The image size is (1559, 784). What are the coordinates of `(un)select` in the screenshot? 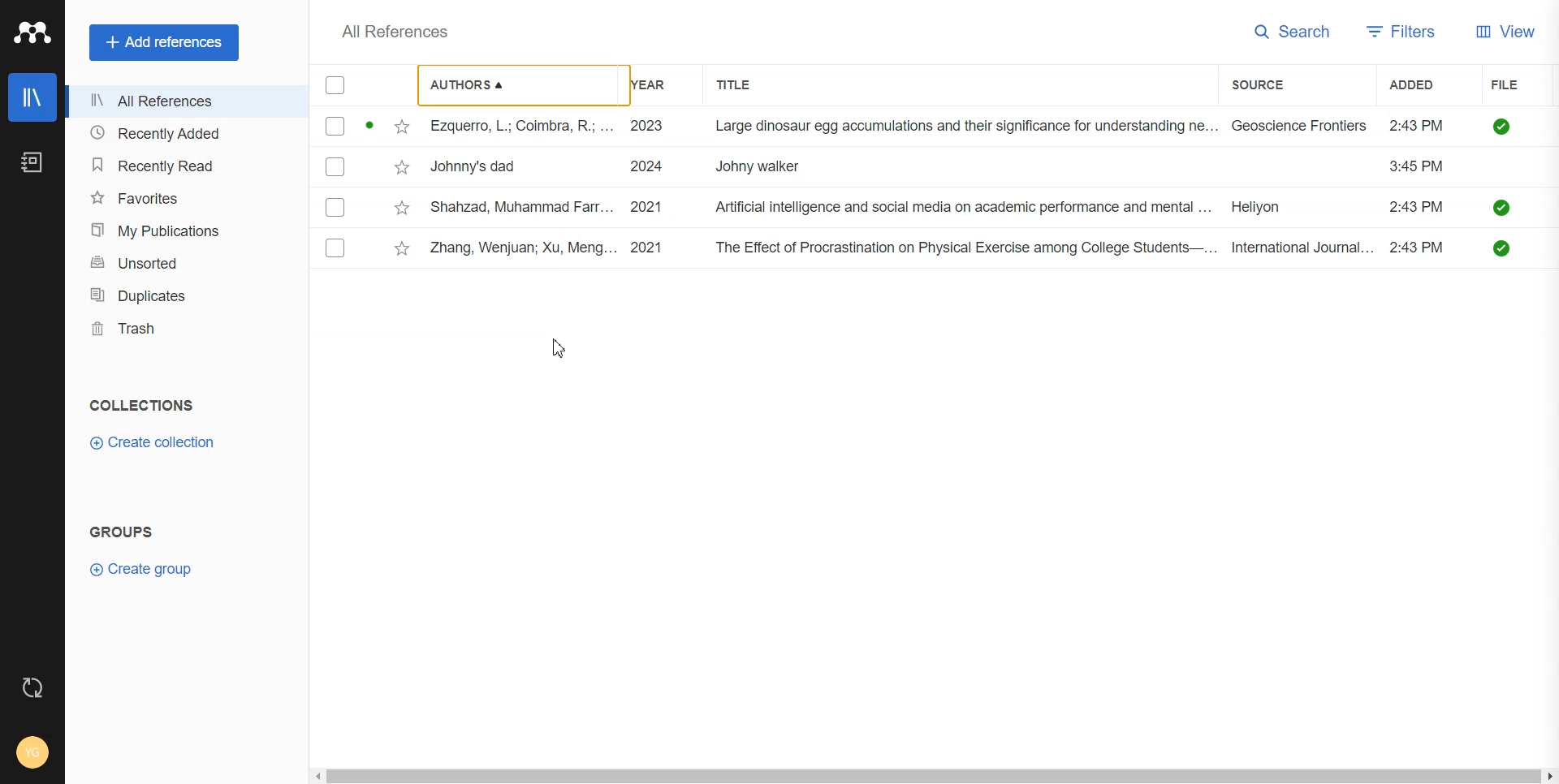 It's located at (335, 127).